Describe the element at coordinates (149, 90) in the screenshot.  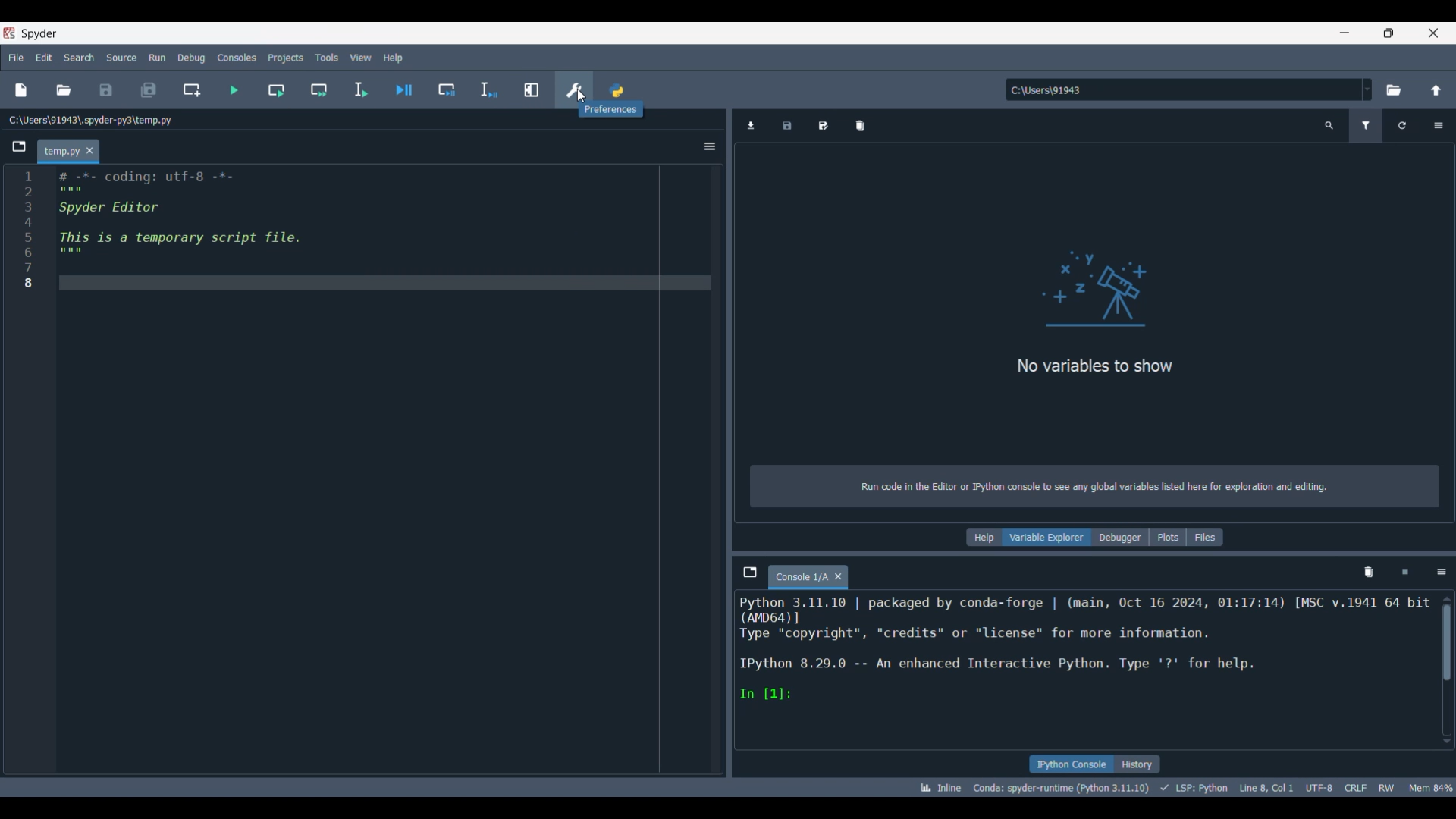
I see `Save all files` at that location.